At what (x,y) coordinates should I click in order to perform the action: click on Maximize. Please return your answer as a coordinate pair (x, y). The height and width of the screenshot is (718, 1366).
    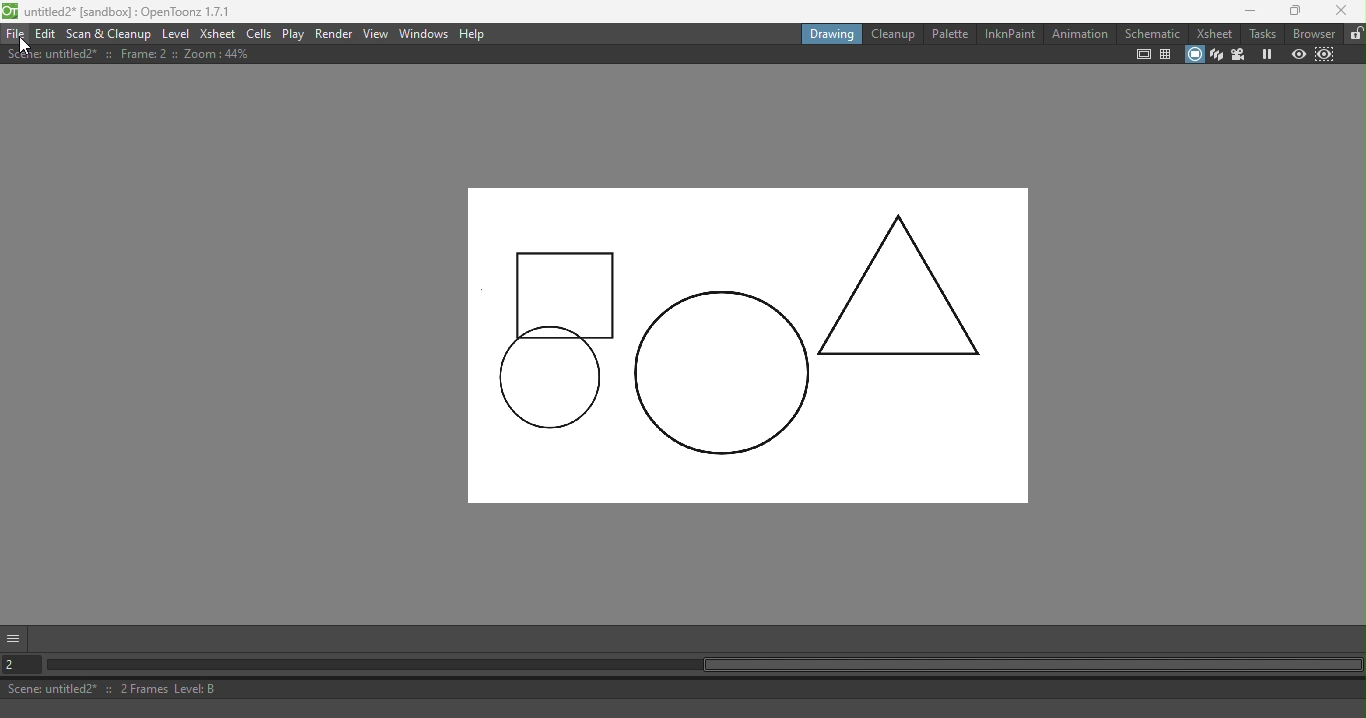
    Looking at the image, I should click on (1292, 12).